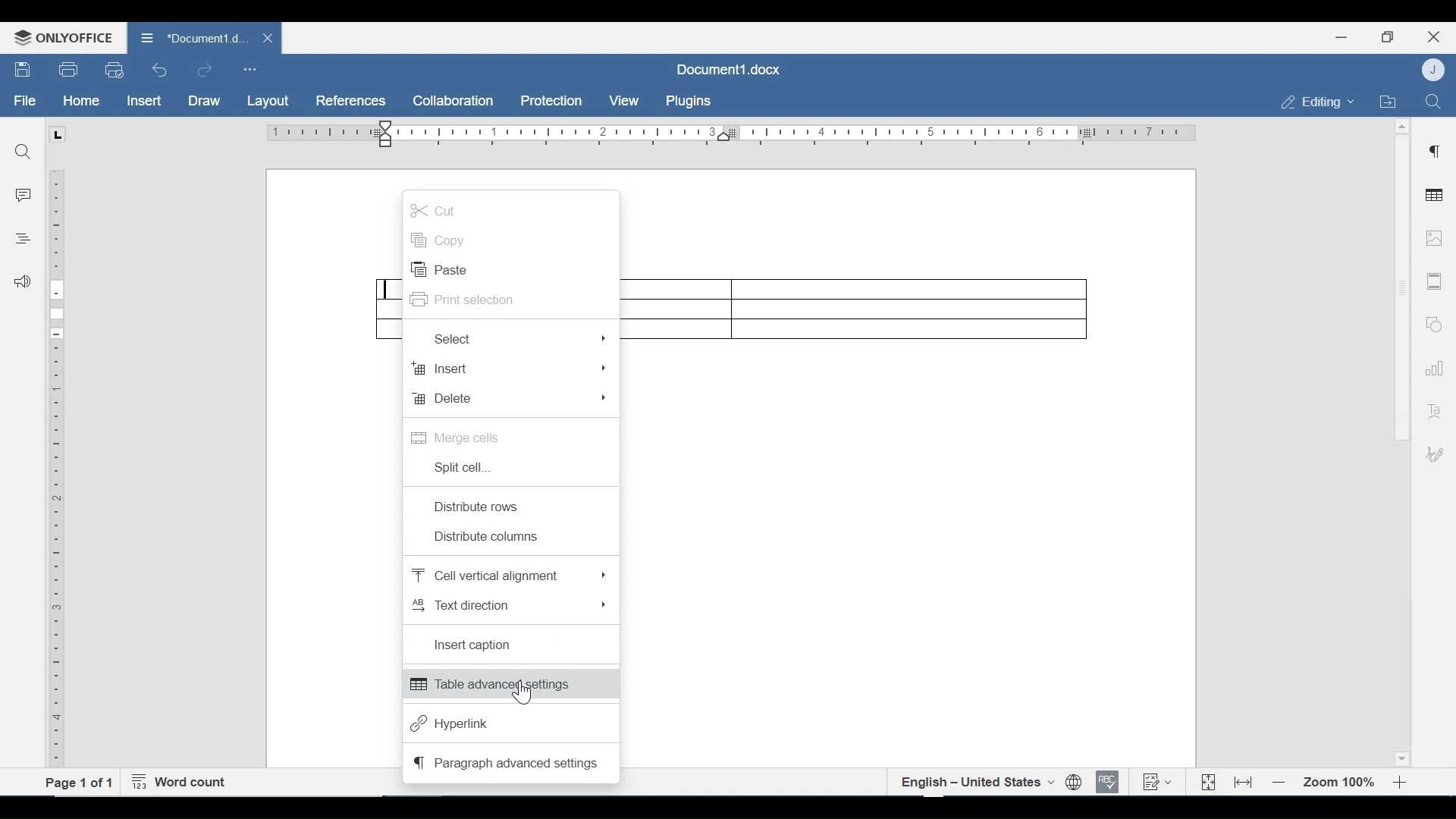 The image size is (1456, 819). Describe the element at coordinates (1387, 100) in the screenshot. I see `Open Filelocation` at that location.